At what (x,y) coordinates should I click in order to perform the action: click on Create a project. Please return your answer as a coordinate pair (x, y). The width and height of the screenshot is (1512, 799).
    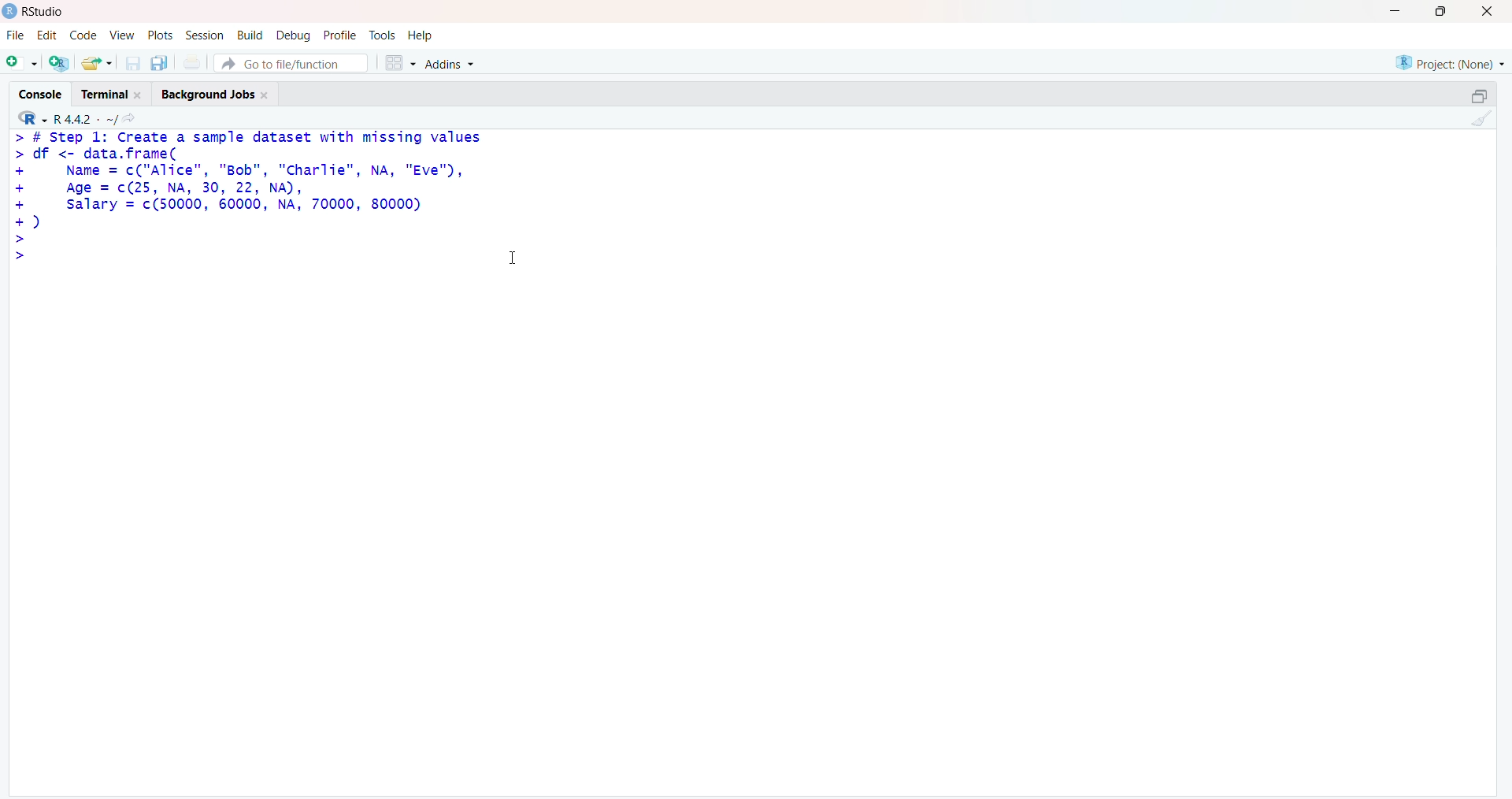
    Looking at the image, I should click on (57, 63).